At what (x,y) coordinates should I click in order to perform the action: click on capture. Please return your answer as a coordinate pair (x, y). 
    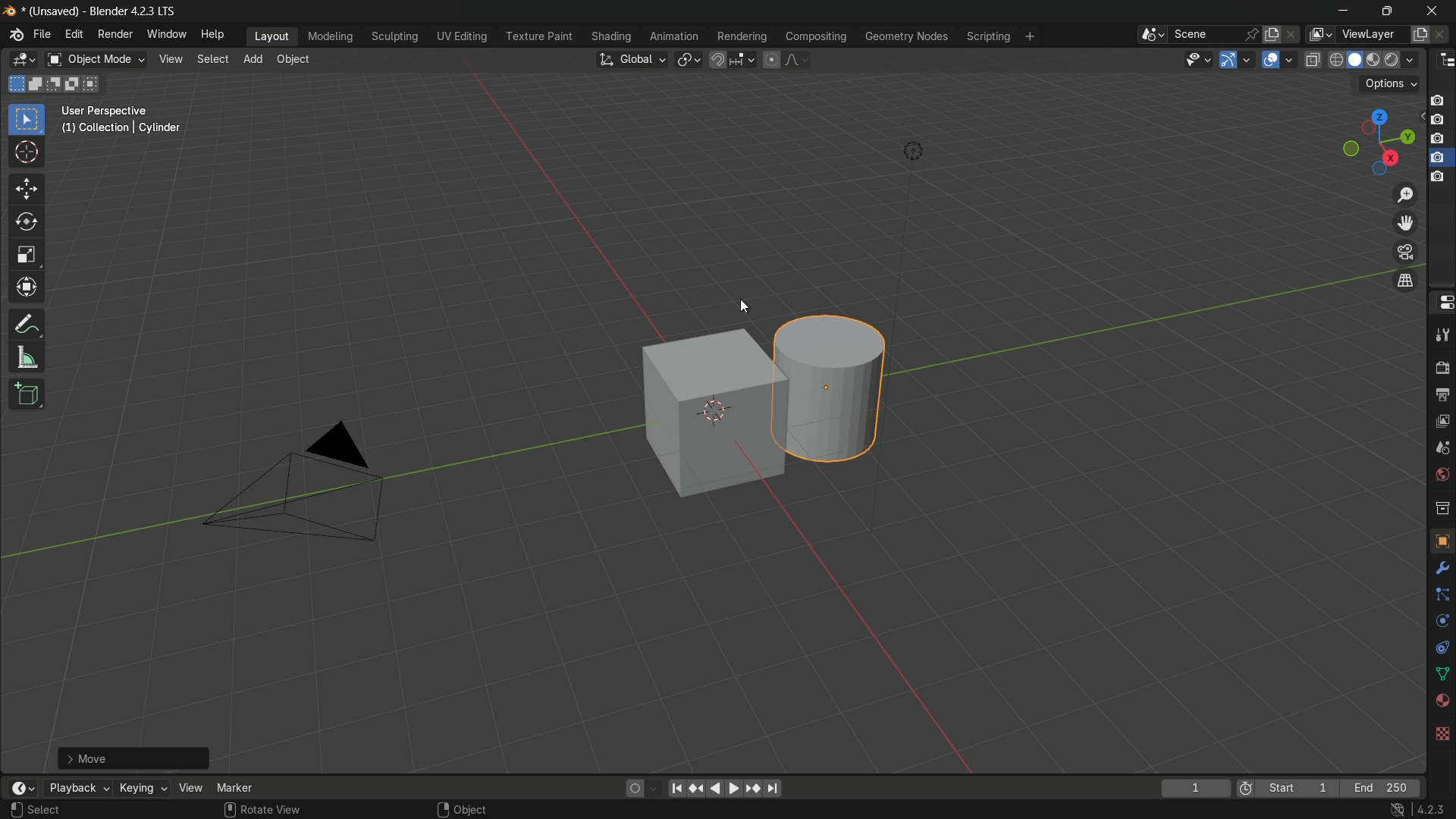
    Looking at the image, I should click on (1439, 139).